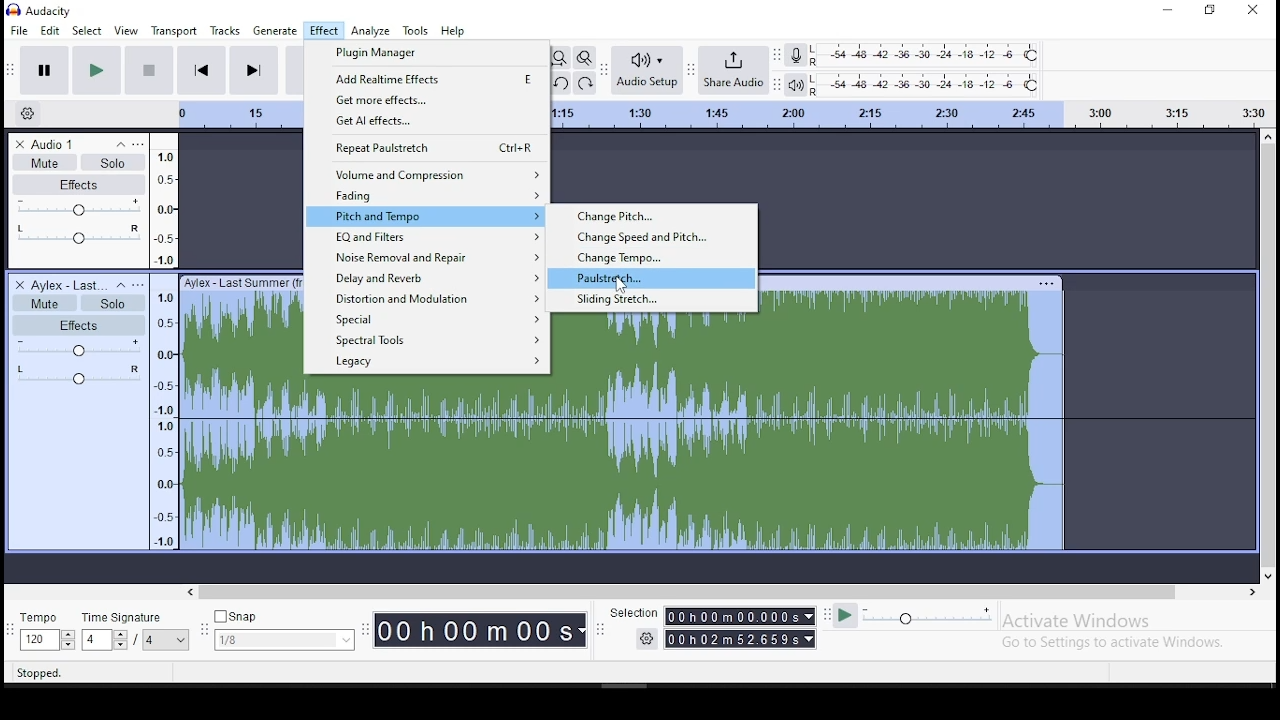  Describe the element at coordinates (913, 617) in the screenshot. I see `plat at speed/ play at speed once` at that location.